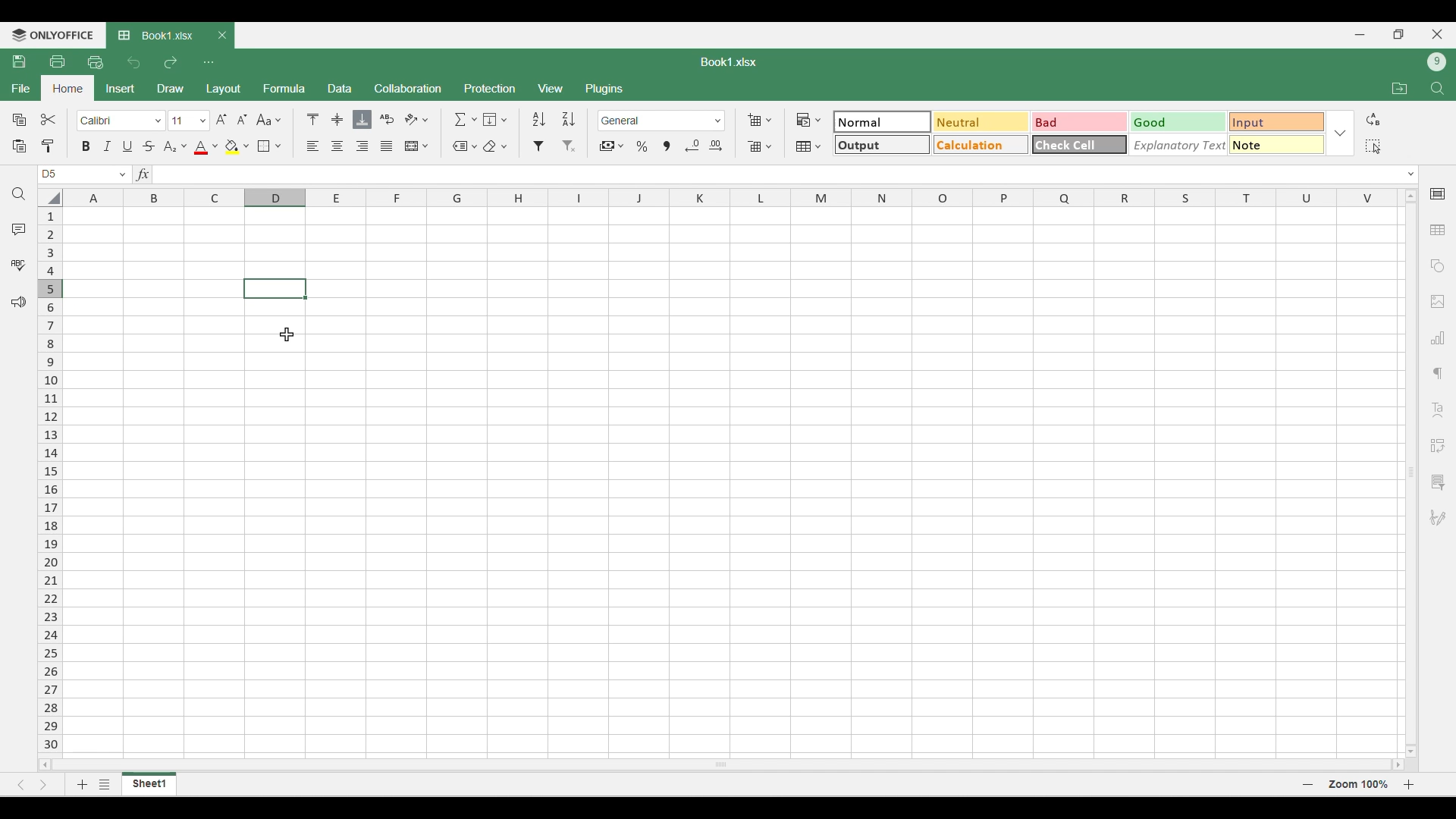  What do you see at coordinates (44, 784) in the screenshot?
I see `Next` at bounding box center [44, 784].